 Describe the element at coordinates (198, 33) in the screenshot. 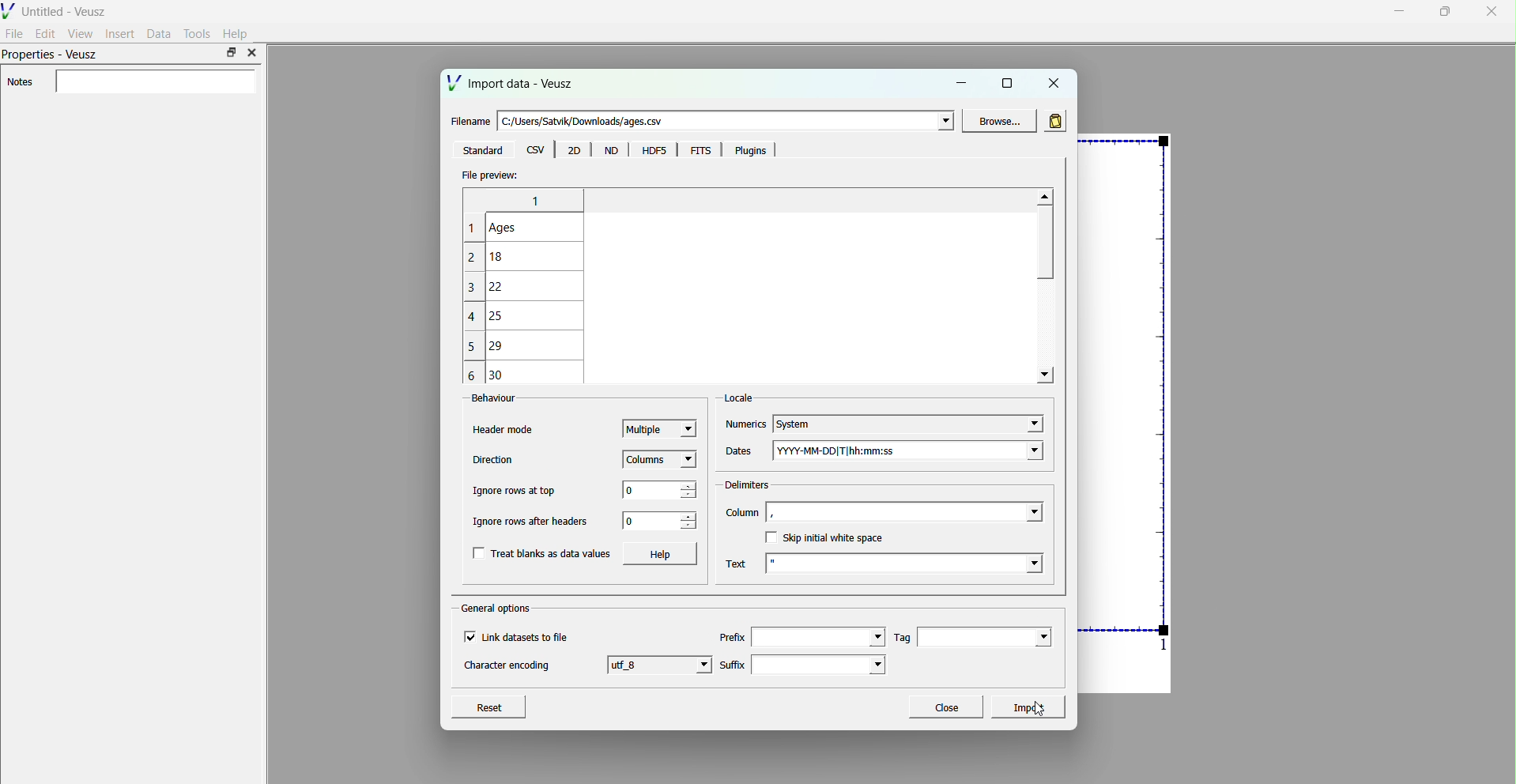

I see `Tools` at that location.